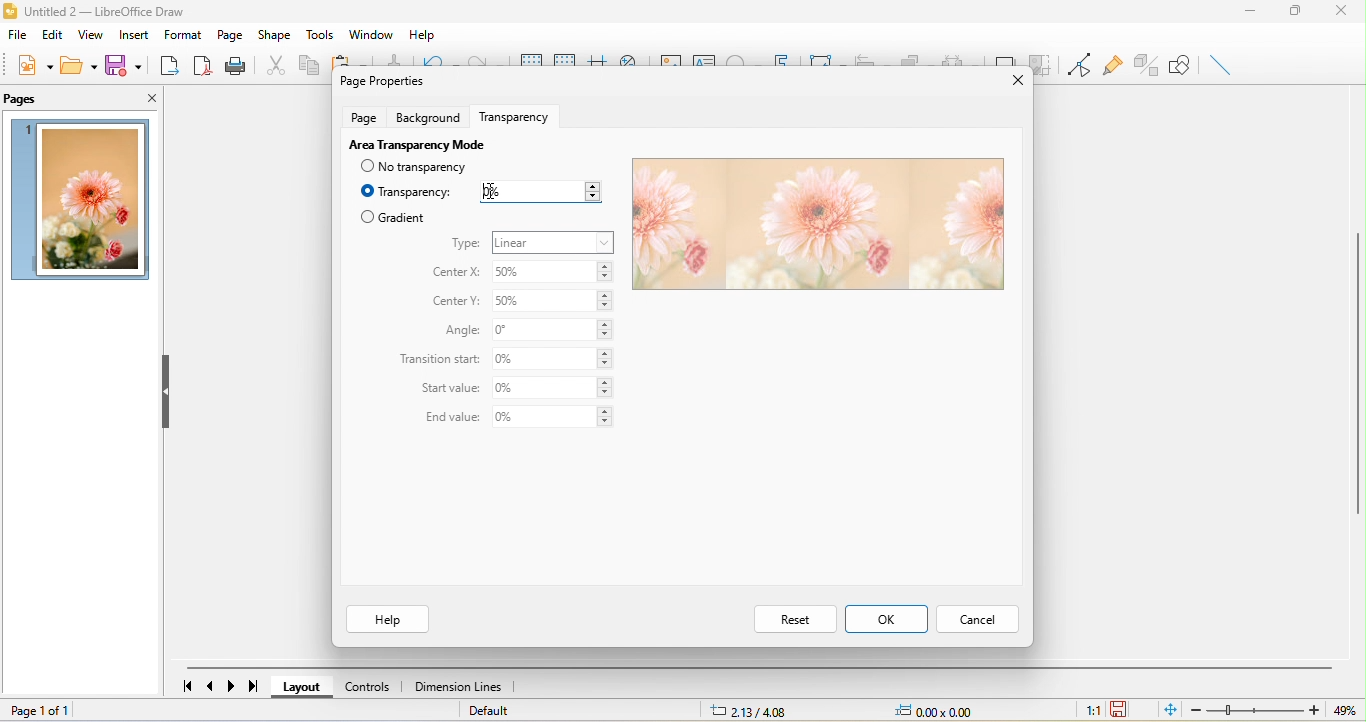  I want to click on 0%, so click(555, 359).